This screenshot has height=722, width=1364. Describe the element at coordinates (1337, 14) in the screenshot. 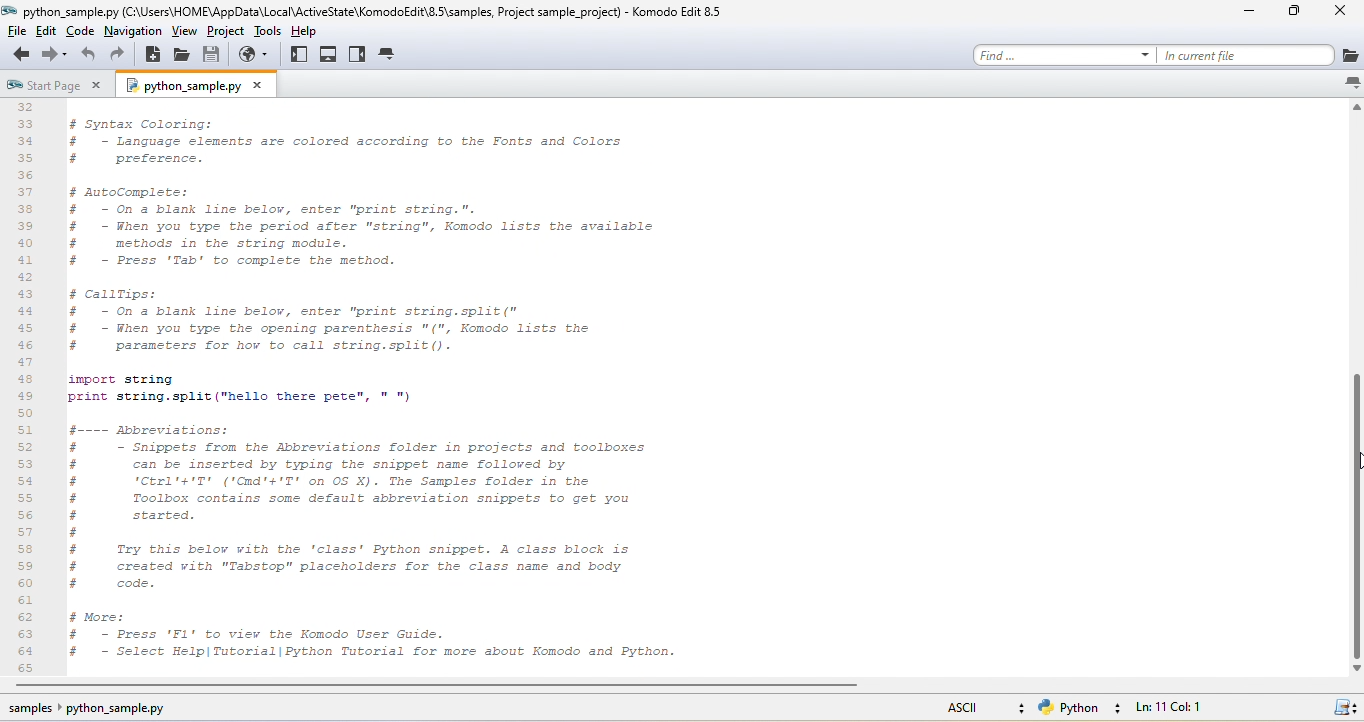

I see `close` at that location.